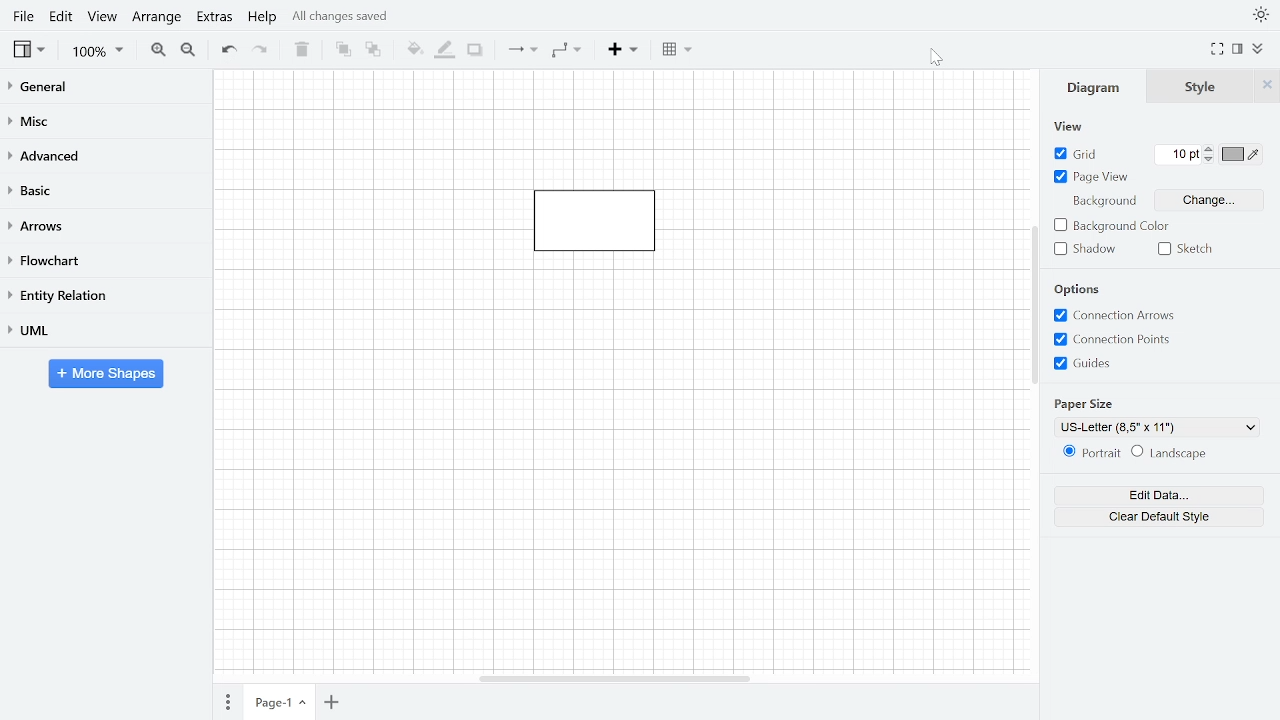 The height and width of the screenshot is (720, 1280). Describe the element at coordinates (626, 51) in the screenshot. I see `Insert` at that location.